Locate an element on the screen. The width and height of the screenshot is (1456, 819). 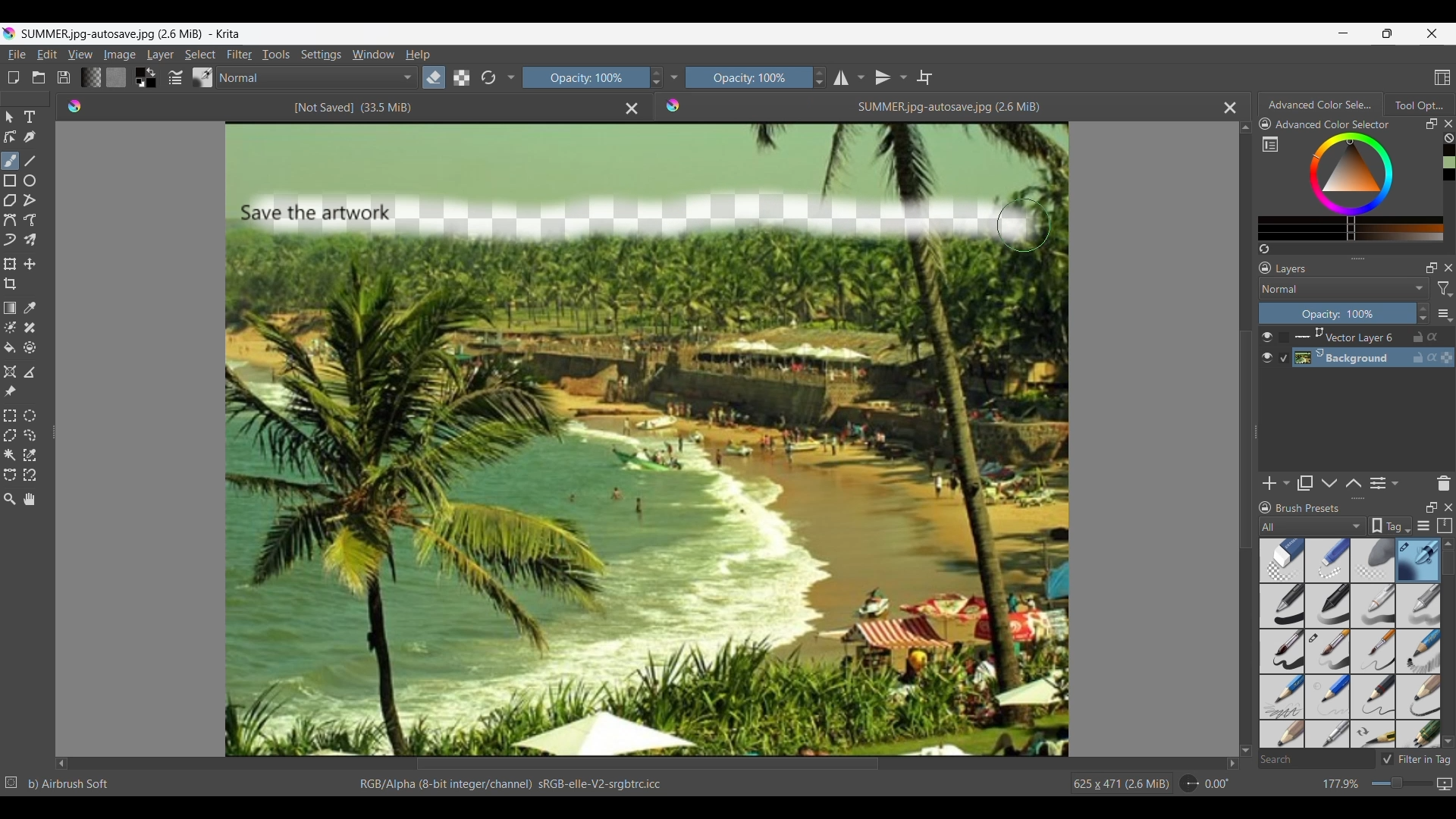
Normal is located at coordinates (317, 77).